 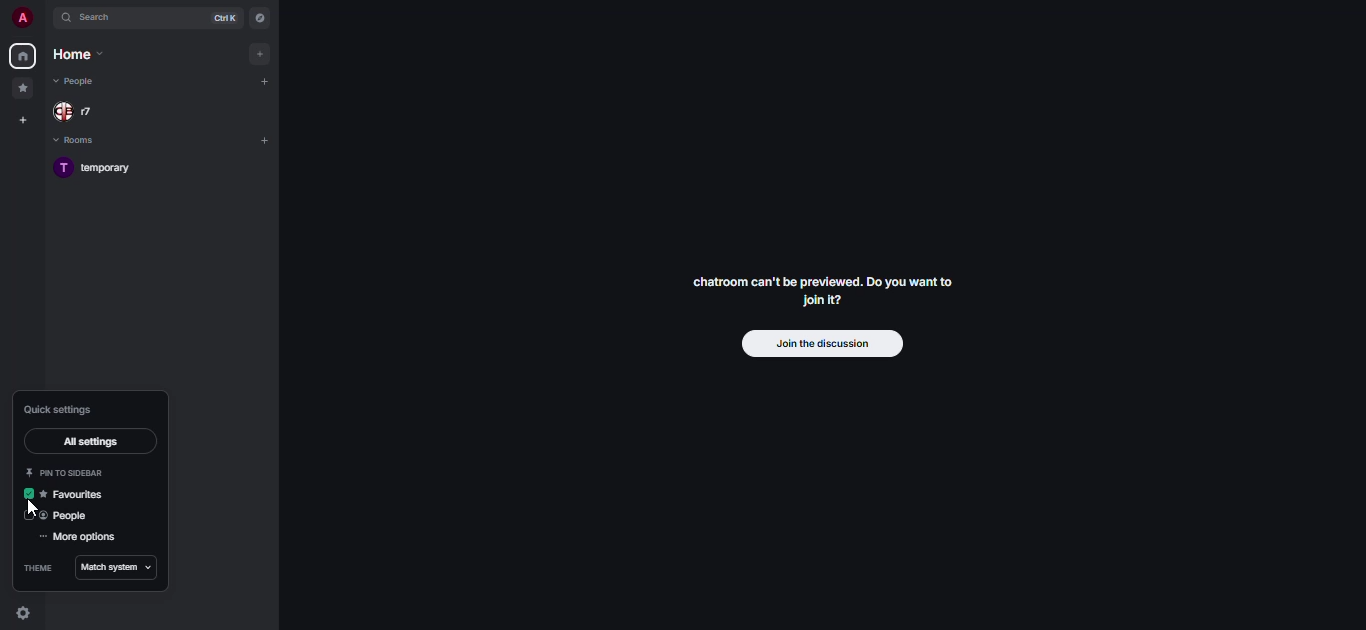 I want to click on favorites, so click(x=75, y=495).